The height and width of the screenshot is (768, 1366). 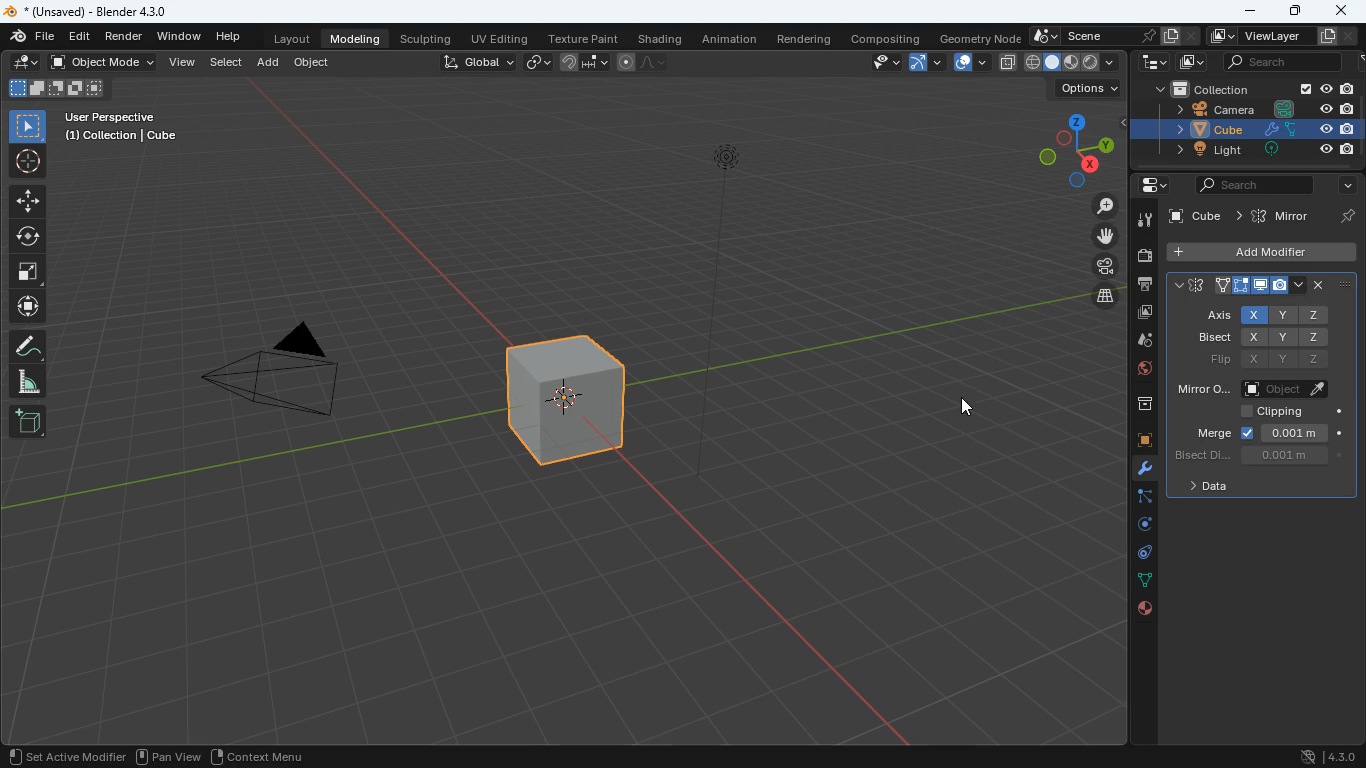 What do you see at coordinates (1070, 149) in the screenshot?
I see `dimensions` at bounding box center [1070, 149].